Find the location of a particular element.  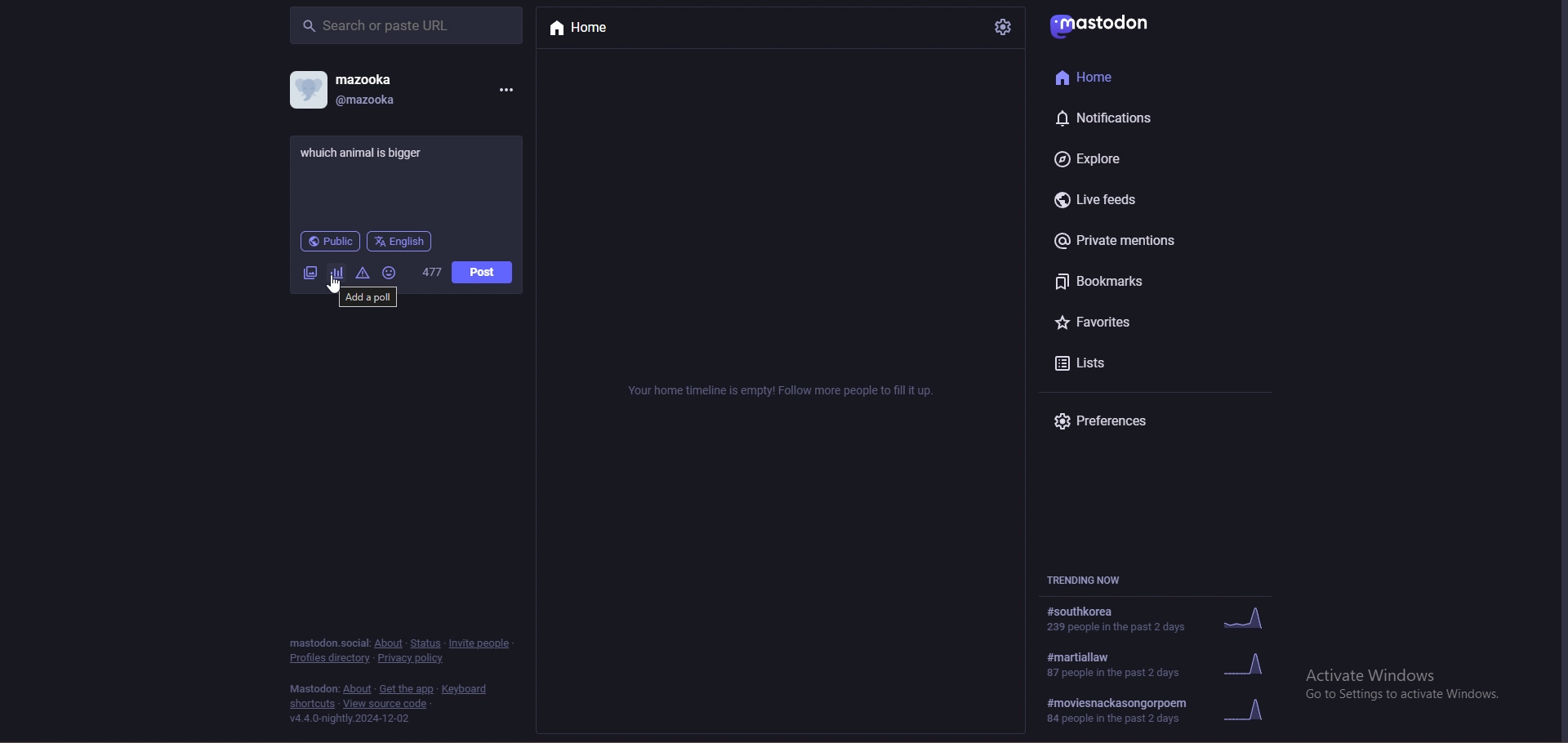

keyboard is located at coordinates (467, 689).